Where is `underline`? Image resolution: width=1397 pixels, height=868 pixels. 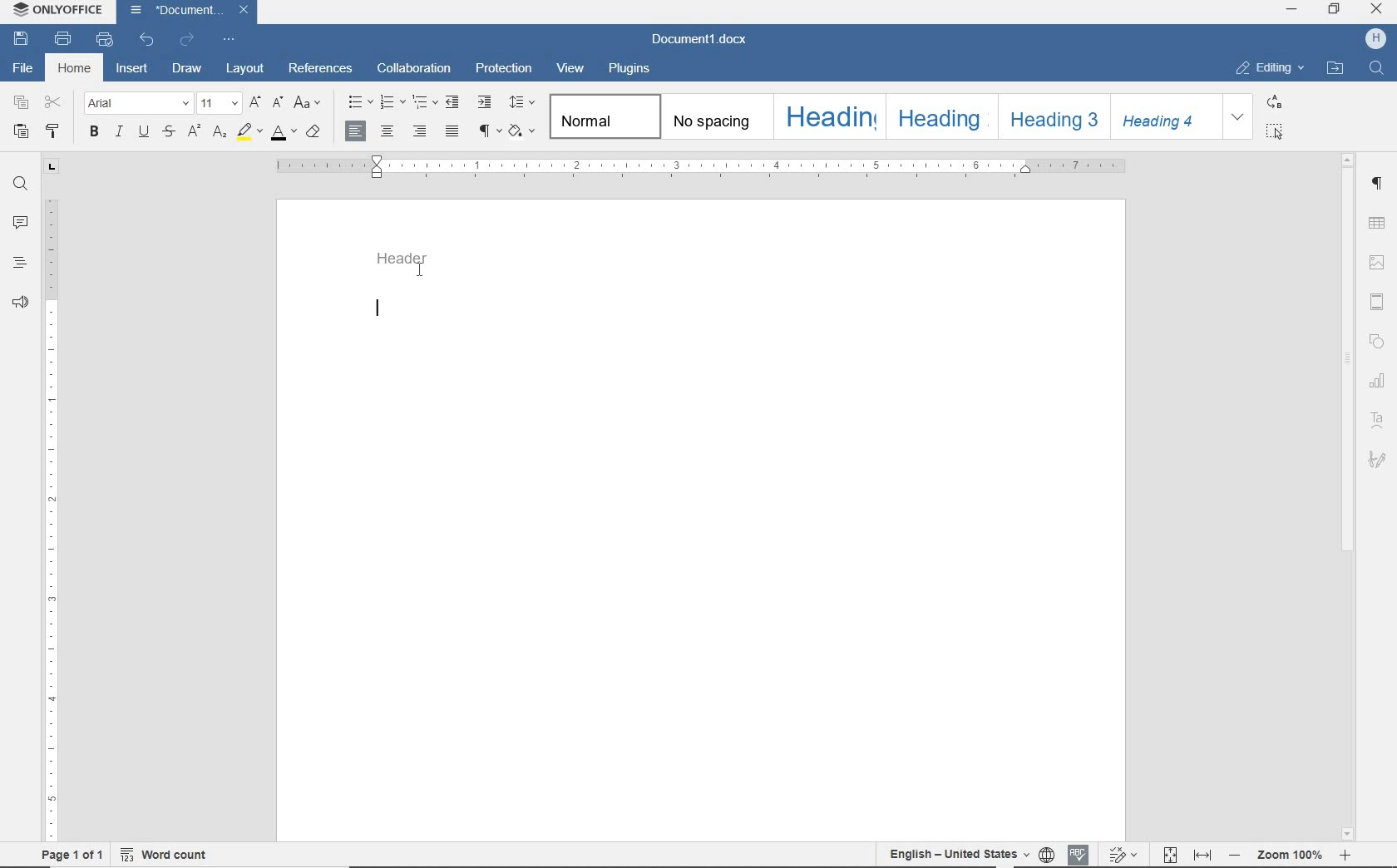 underline is located at coordinates (144, 133).